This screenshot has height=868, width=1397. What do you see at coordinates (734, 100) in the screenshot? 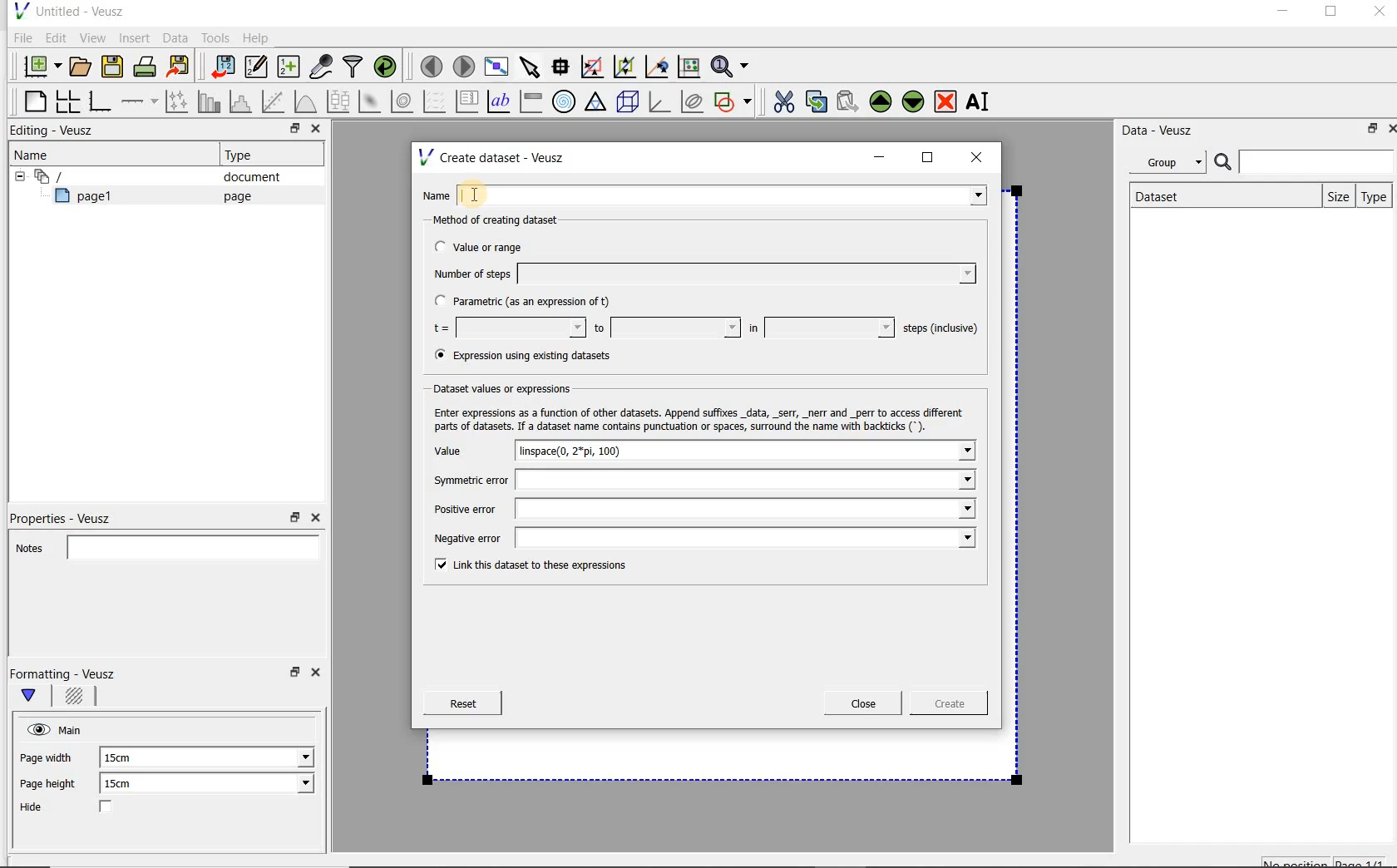
I see `add a shape to the plot` at bounding box center [734, 100].